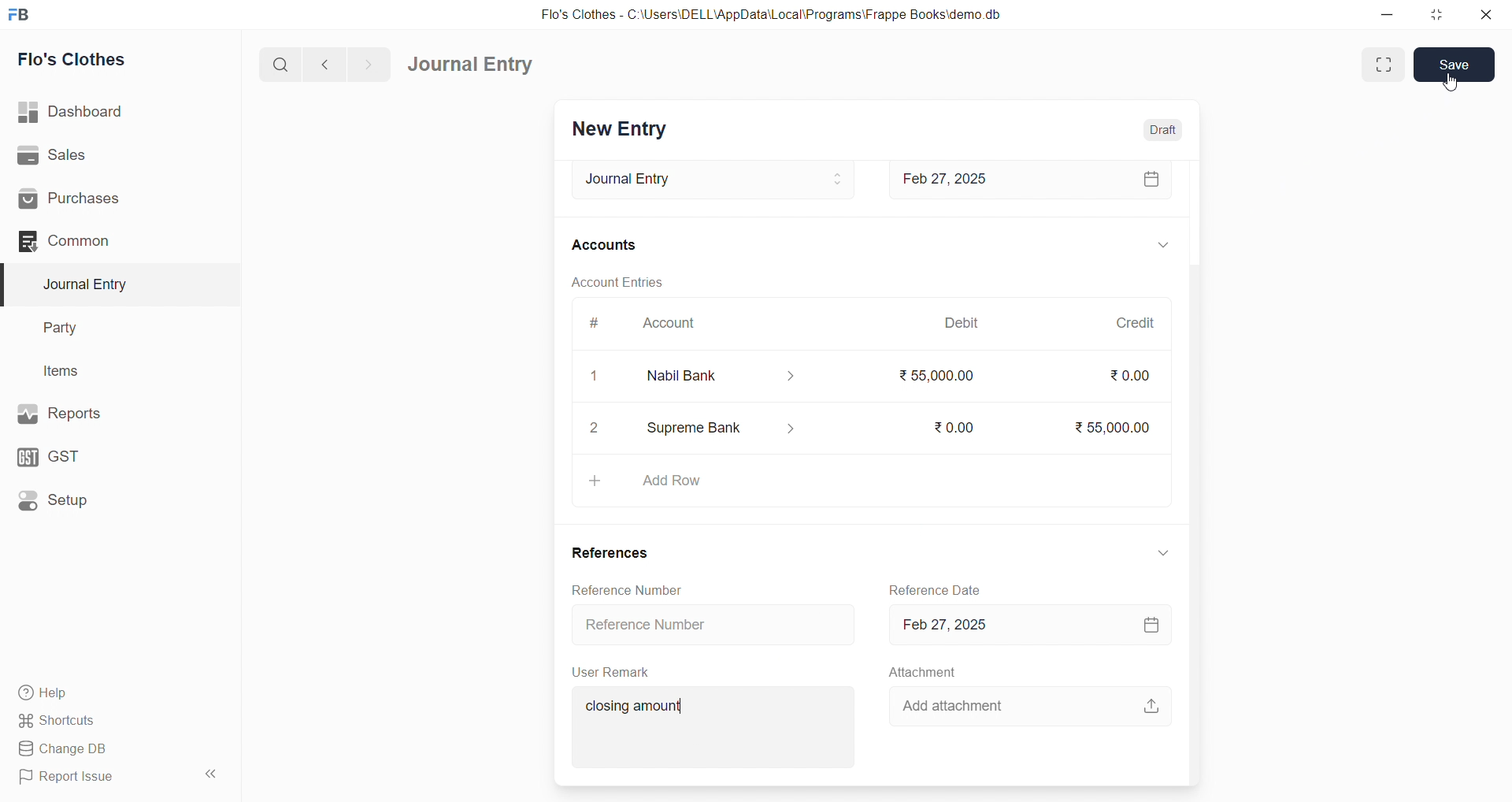 This screenshot has width=1512, height=802. I want to click on Supreme Bank, so click(726, 425).